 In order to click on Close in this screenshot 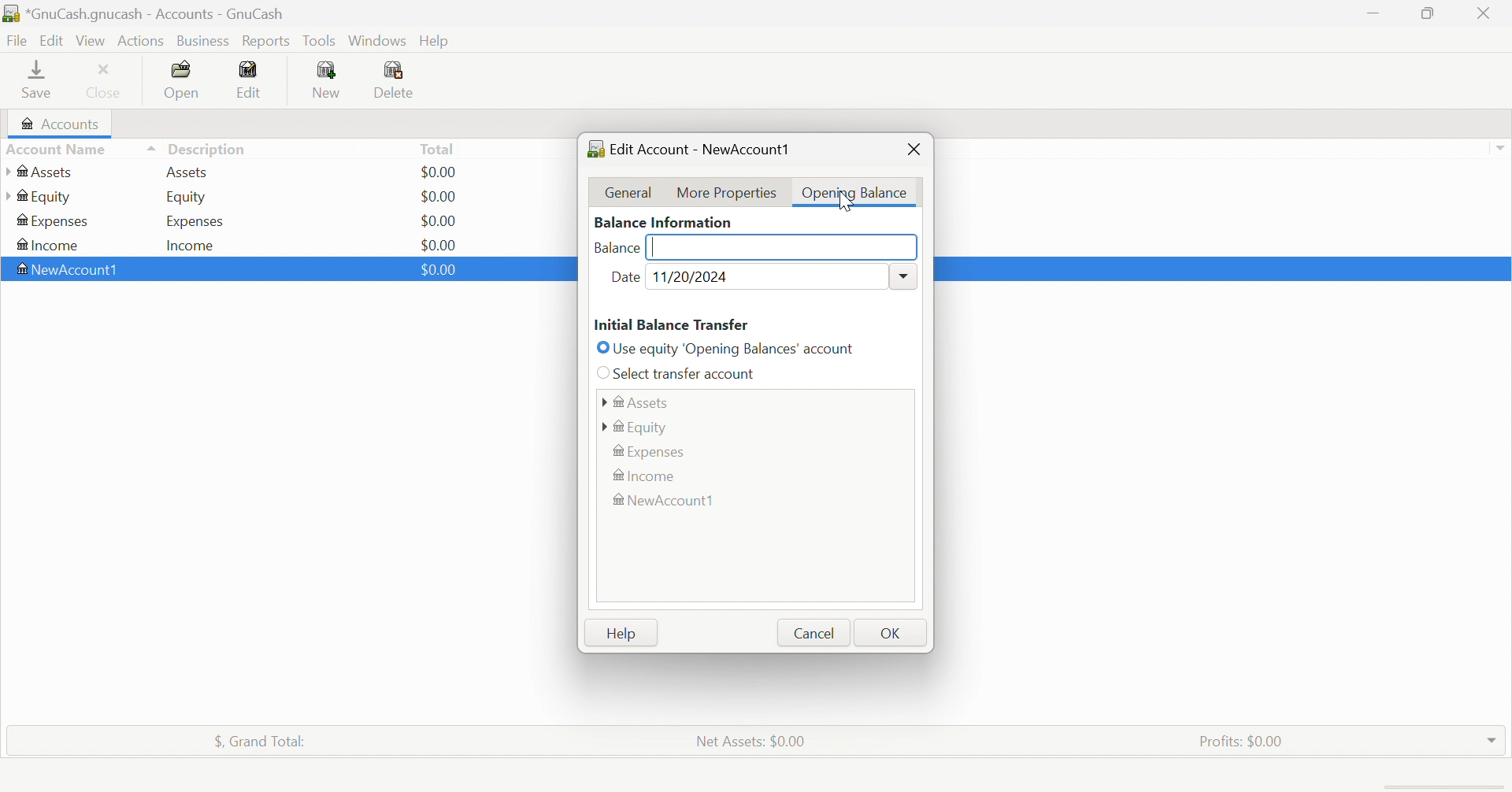, I will do `click(1486, 13)`.